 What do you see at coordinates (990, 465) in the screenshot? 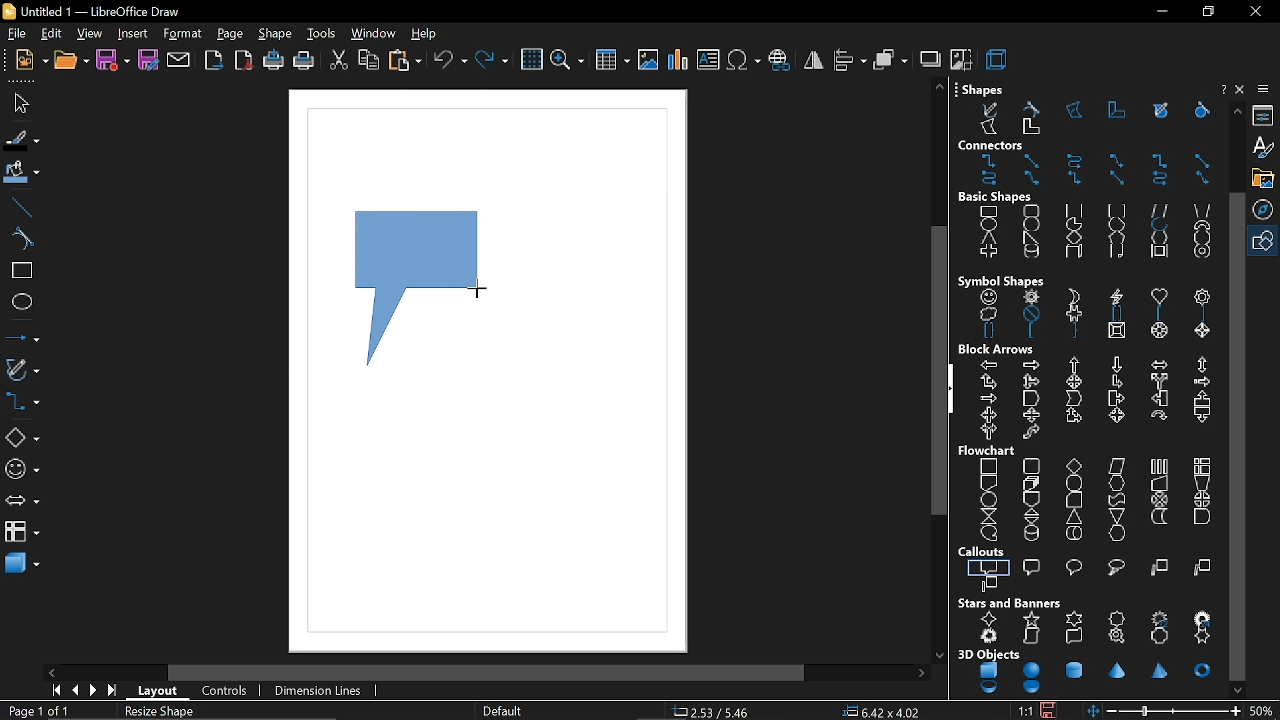
I see `process` at bounding box center [990, 465].